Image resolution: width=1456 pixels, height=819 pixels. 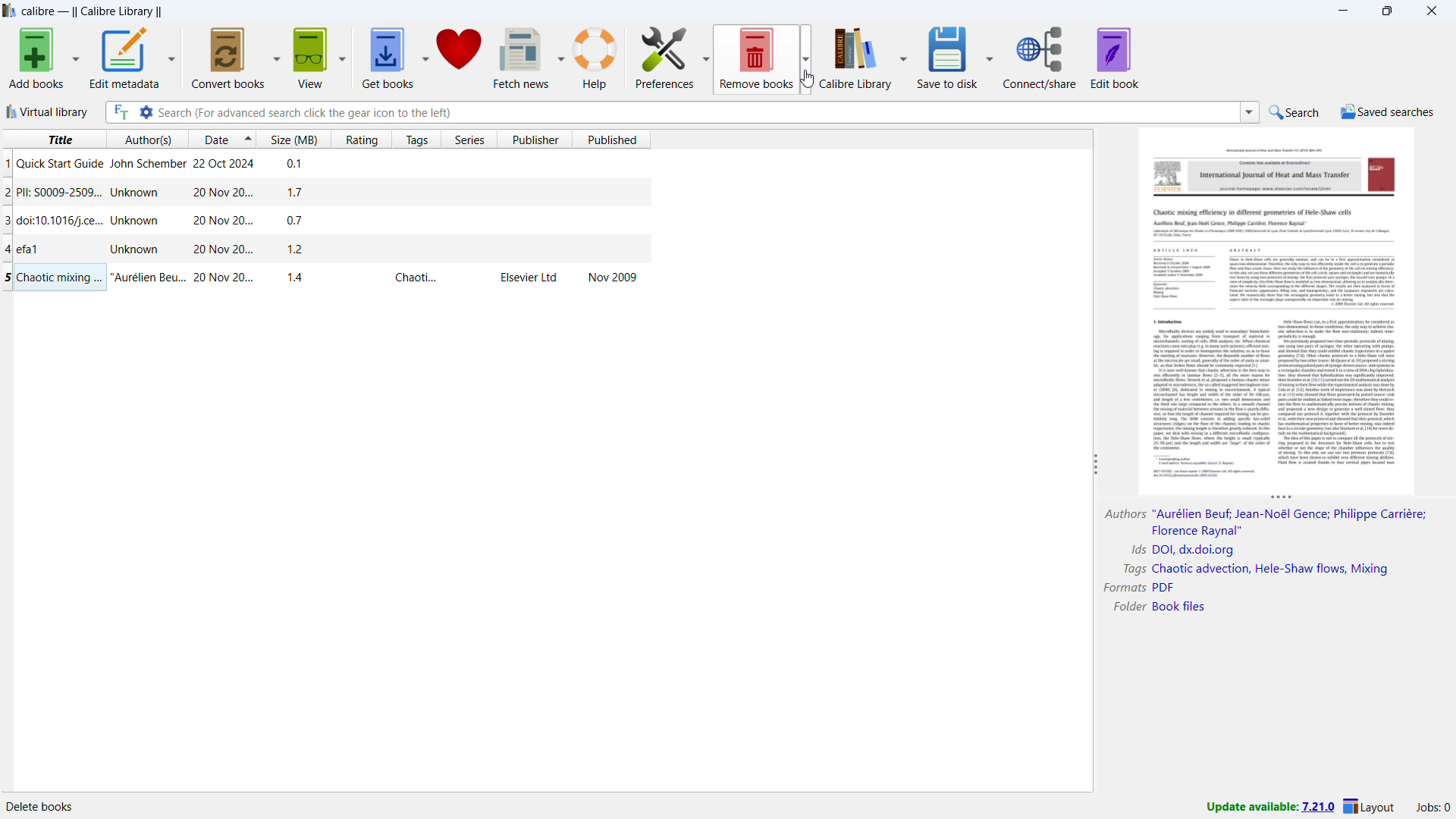 What do you see at coordinates (362, 140) in the screenshot?
I see `sort by rating` at bounding box center [362, 140].